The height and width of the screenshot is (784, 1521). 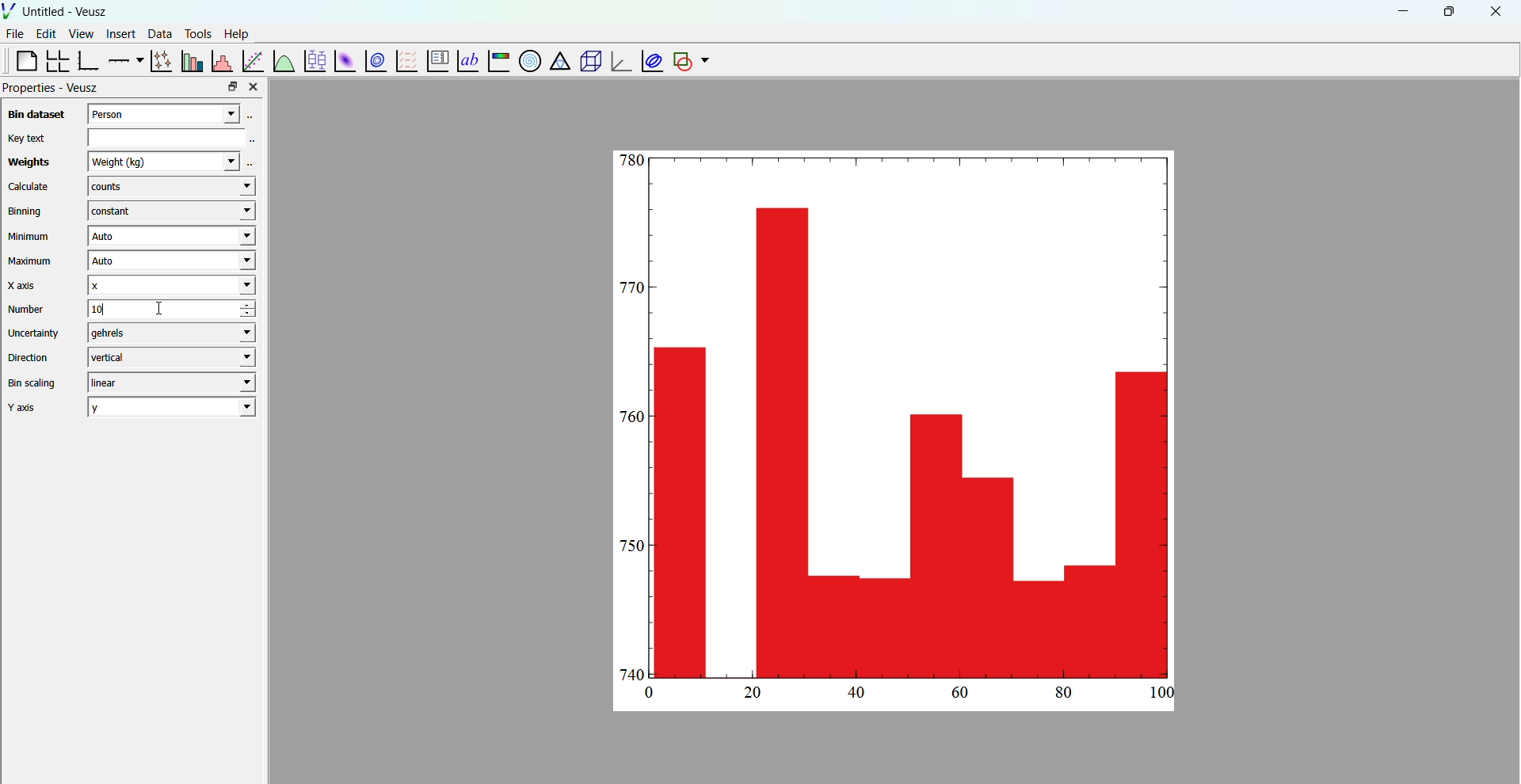 I want to click on histogram added, so click(x=898, y=416).